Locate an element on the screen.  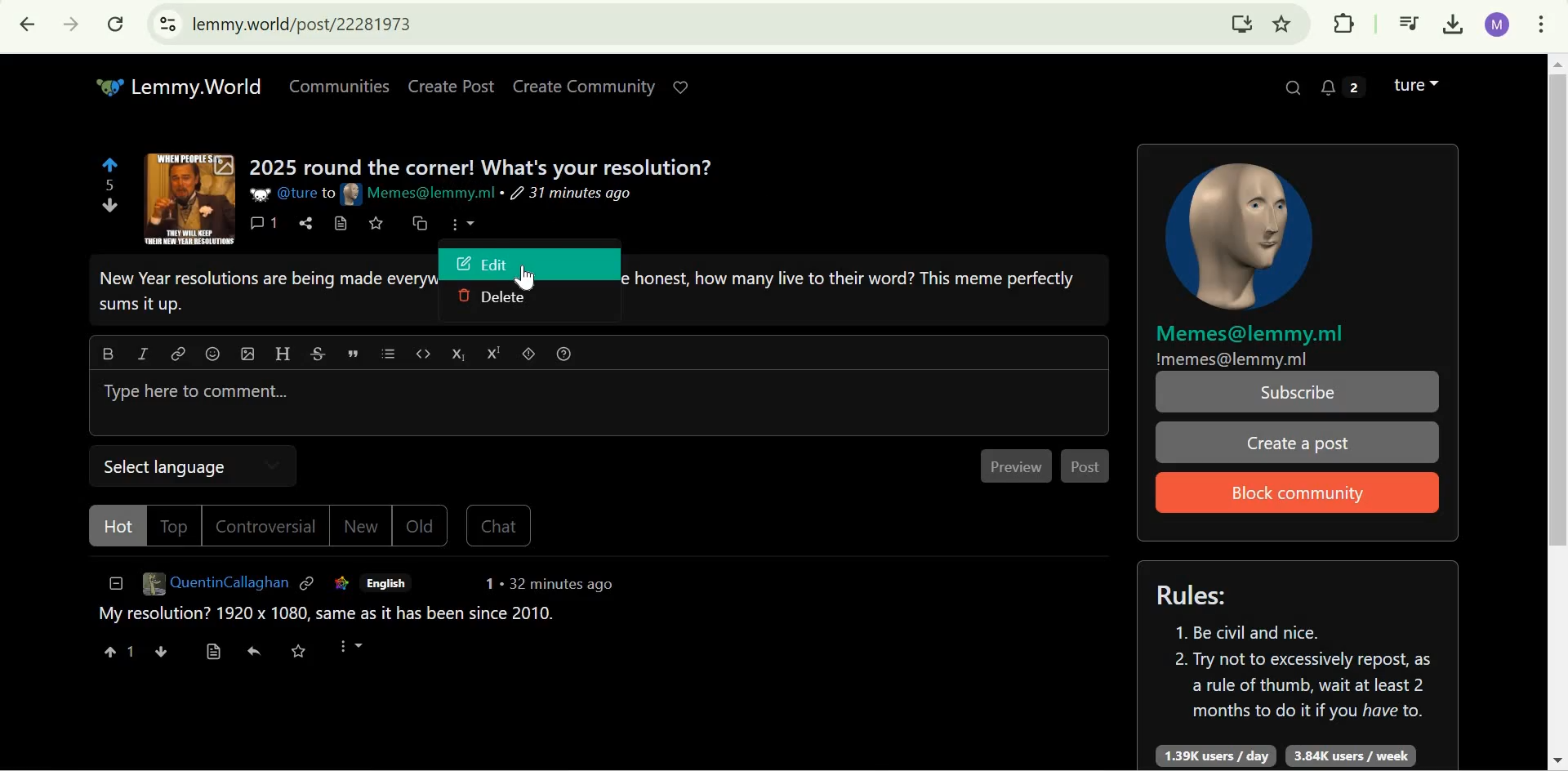
New is located at coordinates (363, 528).